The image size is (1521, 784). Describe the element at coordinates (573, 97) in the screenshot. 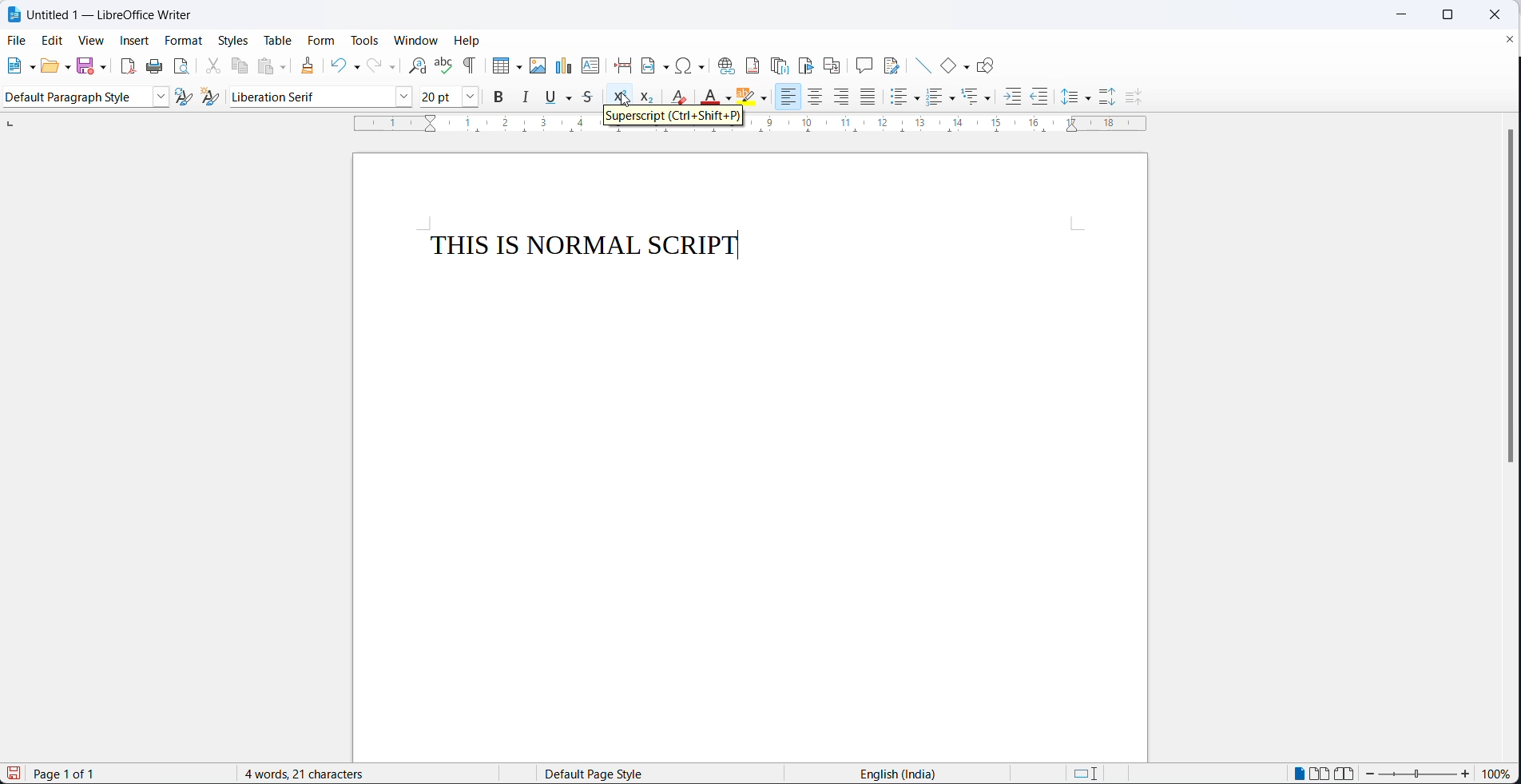

I see `underline options` at that location.